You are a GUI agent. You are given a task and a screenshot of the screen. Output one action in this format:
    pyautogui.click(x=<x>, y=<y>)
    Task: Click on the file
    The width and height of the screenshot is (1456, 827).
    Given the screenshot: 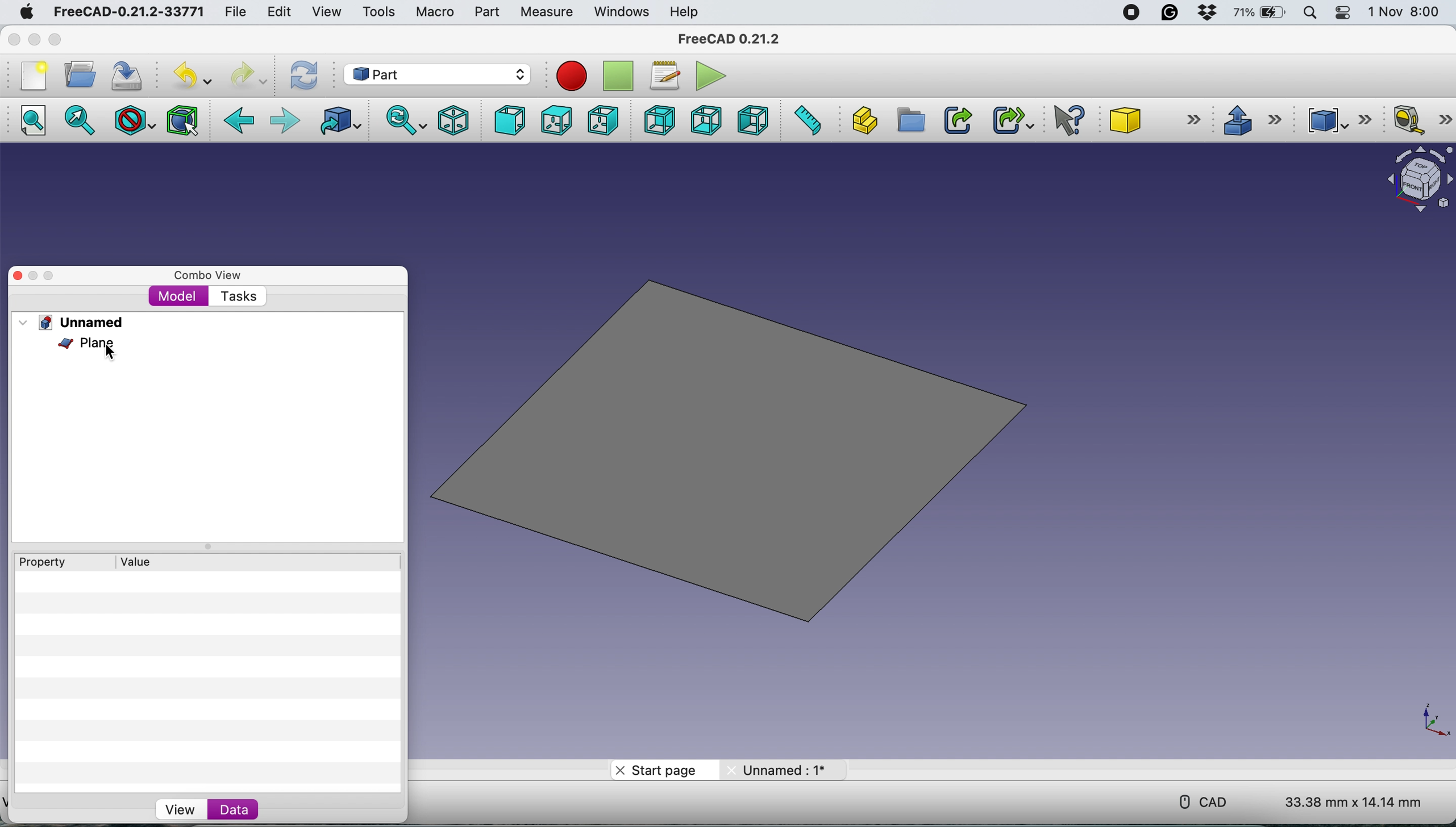 What is the action you would take?
    pyautogui.click(x=231, y=12)
    